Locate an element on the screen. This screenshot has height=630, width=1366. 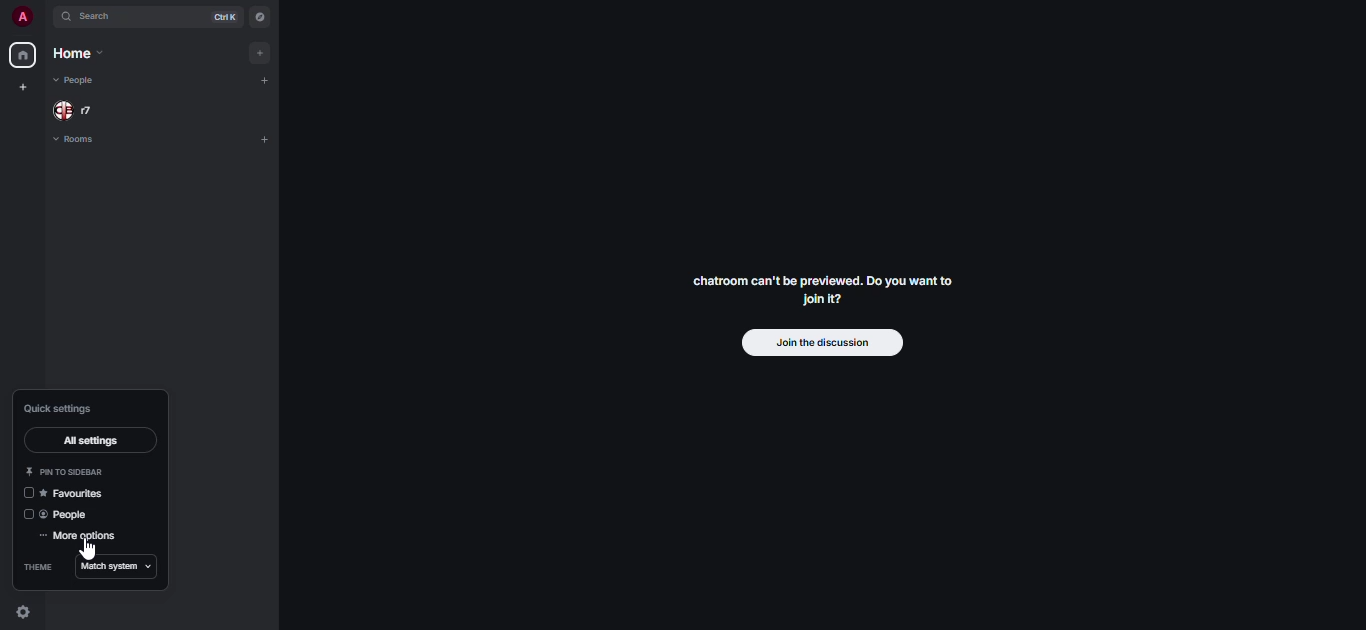
quick settings is located at coordinates (63, 408).